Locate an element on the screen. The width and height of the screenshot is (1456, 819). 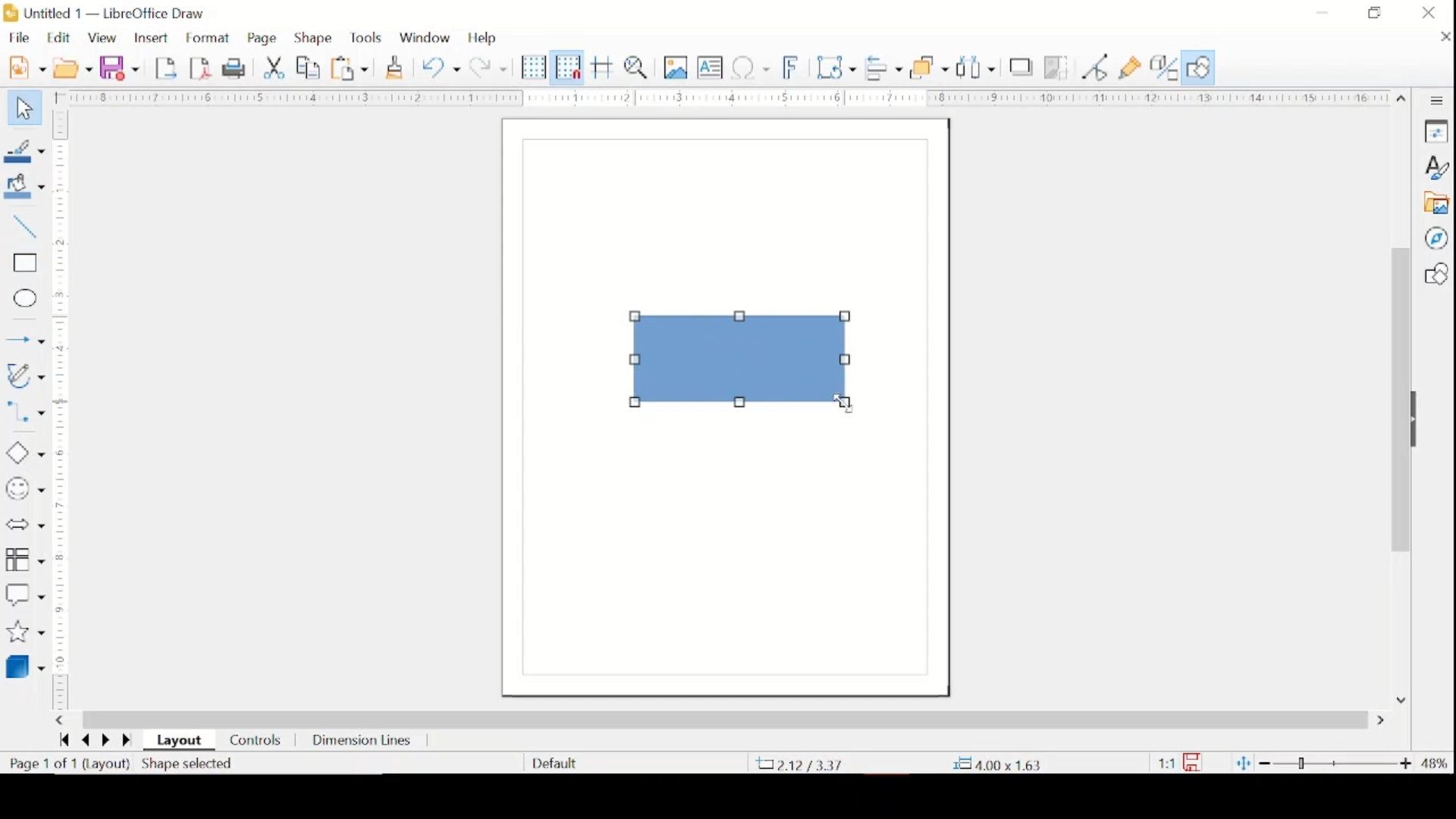
clone formatting is located at coordinates (396, 65).